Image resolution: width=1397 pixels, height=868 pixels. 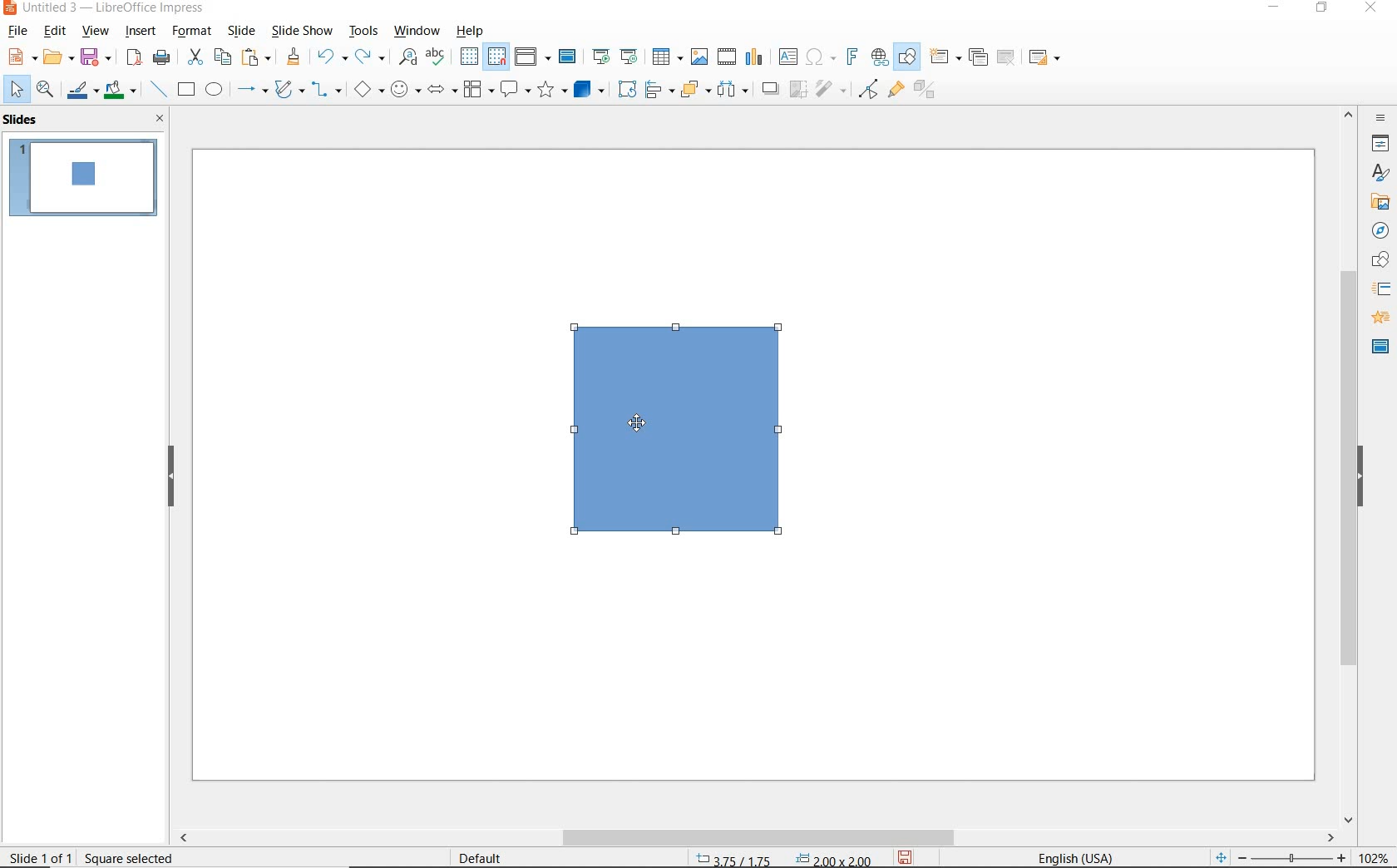 What do you see at coordinates (81, 89) in the screenshot?
I see `line color` at bounding box center [81, 89].